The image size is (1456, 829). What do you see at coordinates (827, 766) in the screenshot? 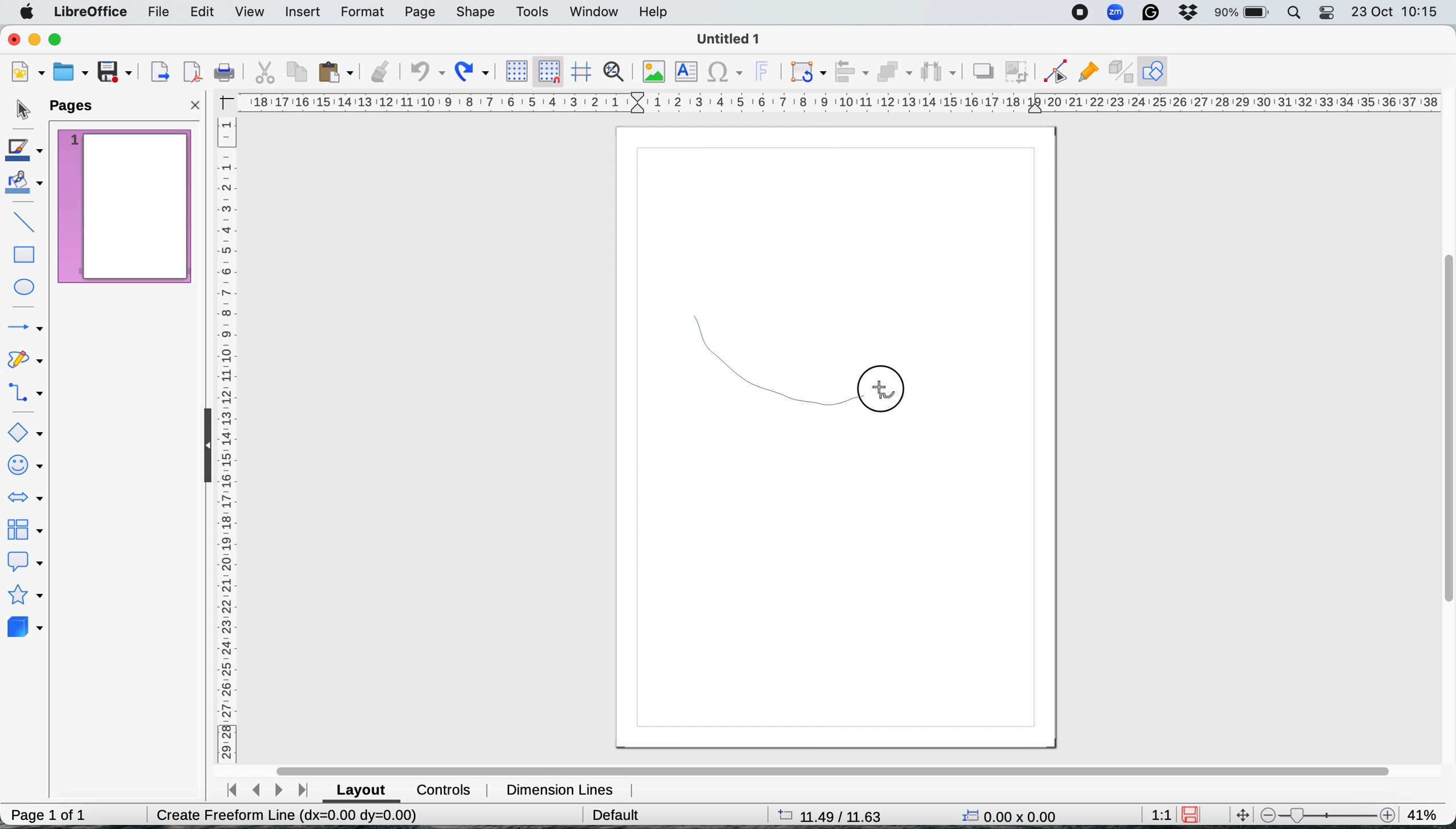
I see `horiztonal scroll bar` at bounding box center [827, 766].